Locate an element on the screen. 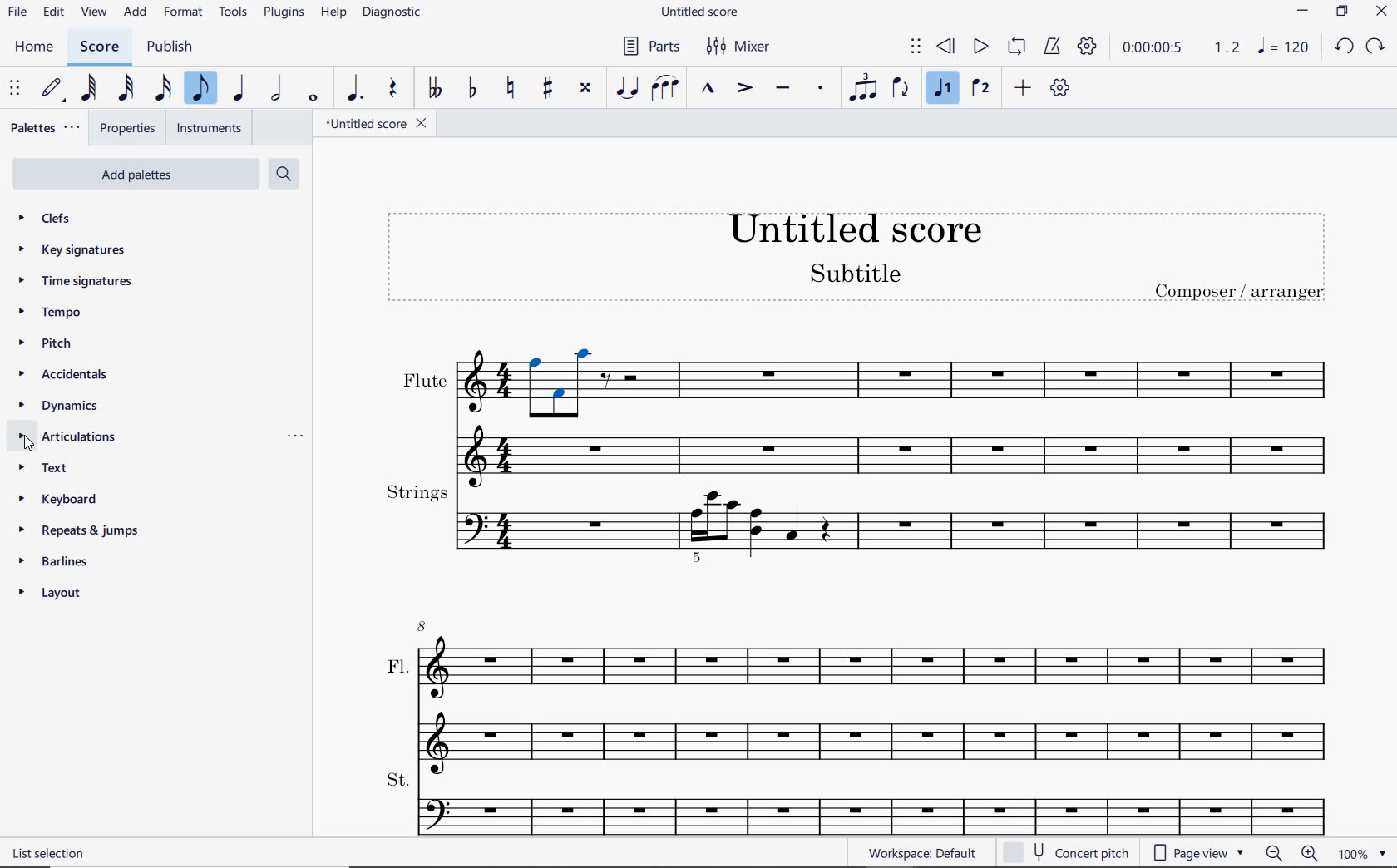 Image resolution: width=1397 pixels, height=868 pixels. 64TH NOTE is located at coordinates (89, 88).